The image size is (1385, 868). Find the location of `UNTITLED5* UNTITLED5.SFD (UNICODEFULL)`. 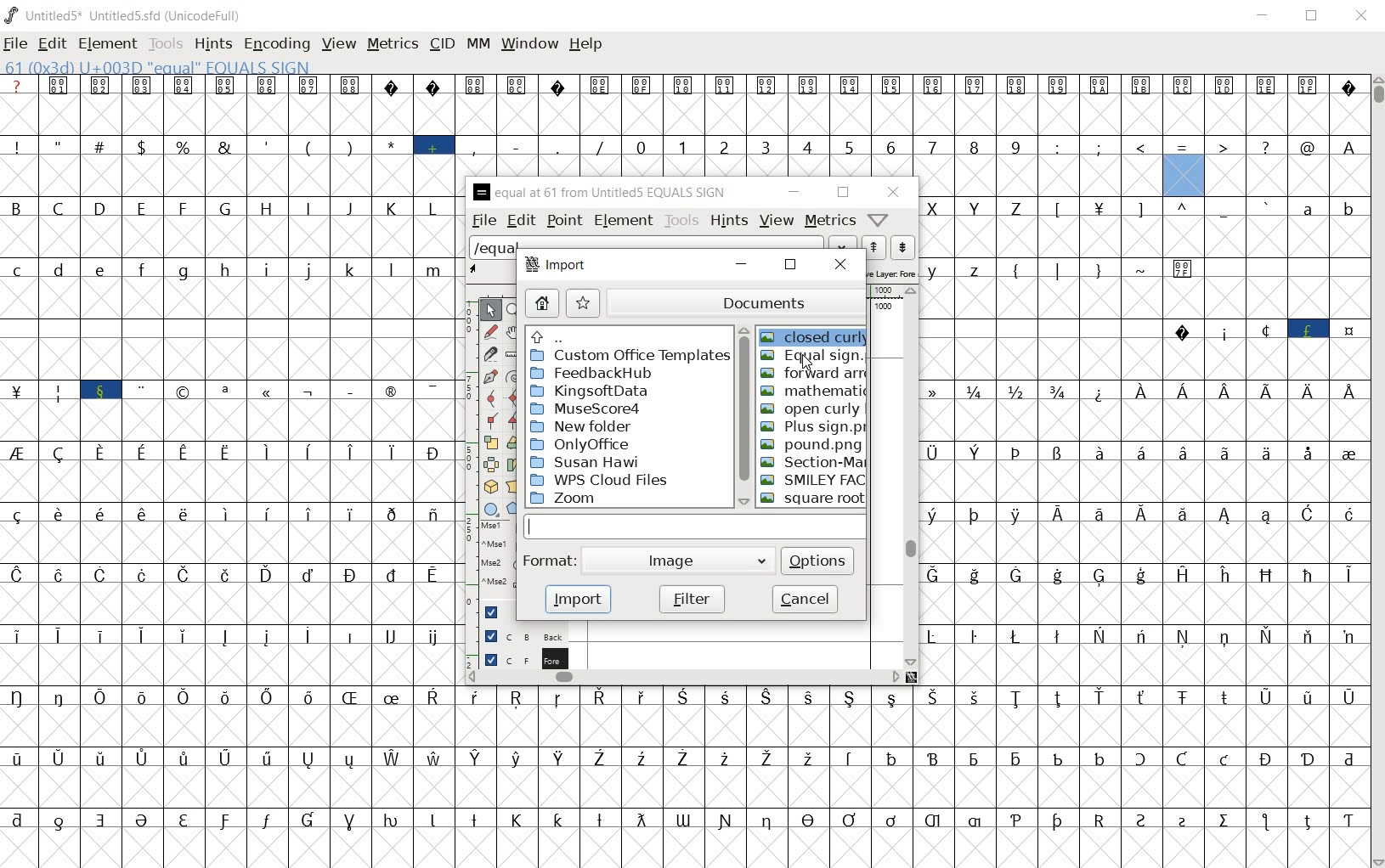

UNTITLED5* UNTITLED5.SFD (UNICODEFULL) is located at coordinates (127, 14).